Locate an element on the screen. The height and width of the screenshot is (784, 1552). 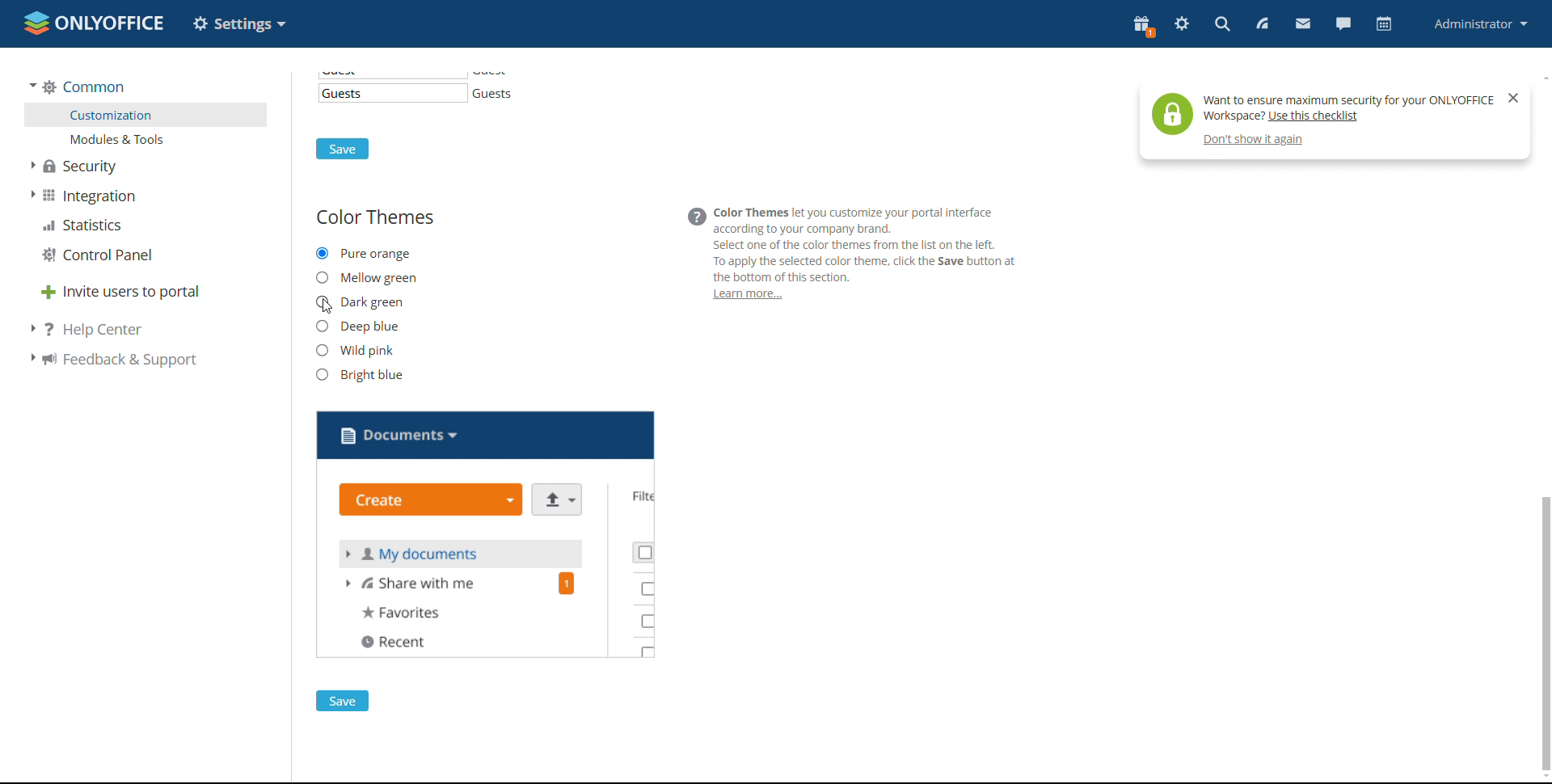
scrollbar moved is located at coordinates (1546, 634).